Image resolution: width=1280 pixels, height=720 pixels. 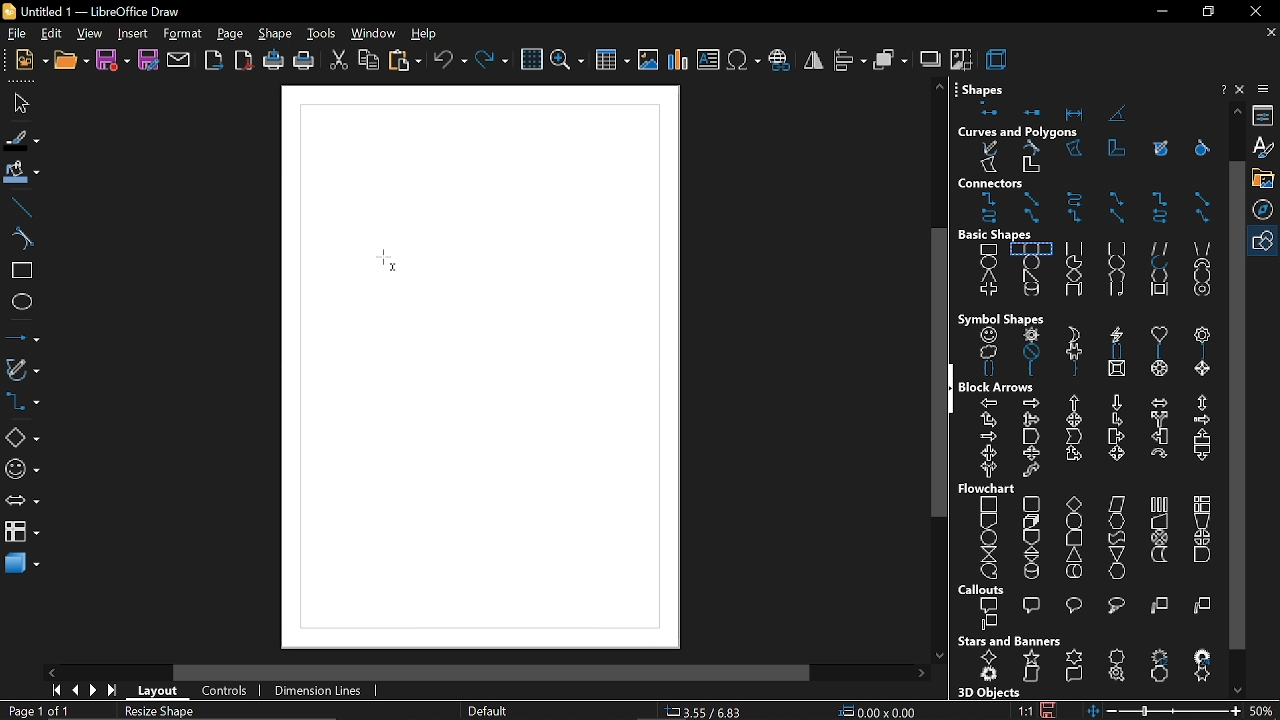 What do you see at coordinates (395, 273) in the screenshot?
I see `cursor` at bounding box center [395, 273].